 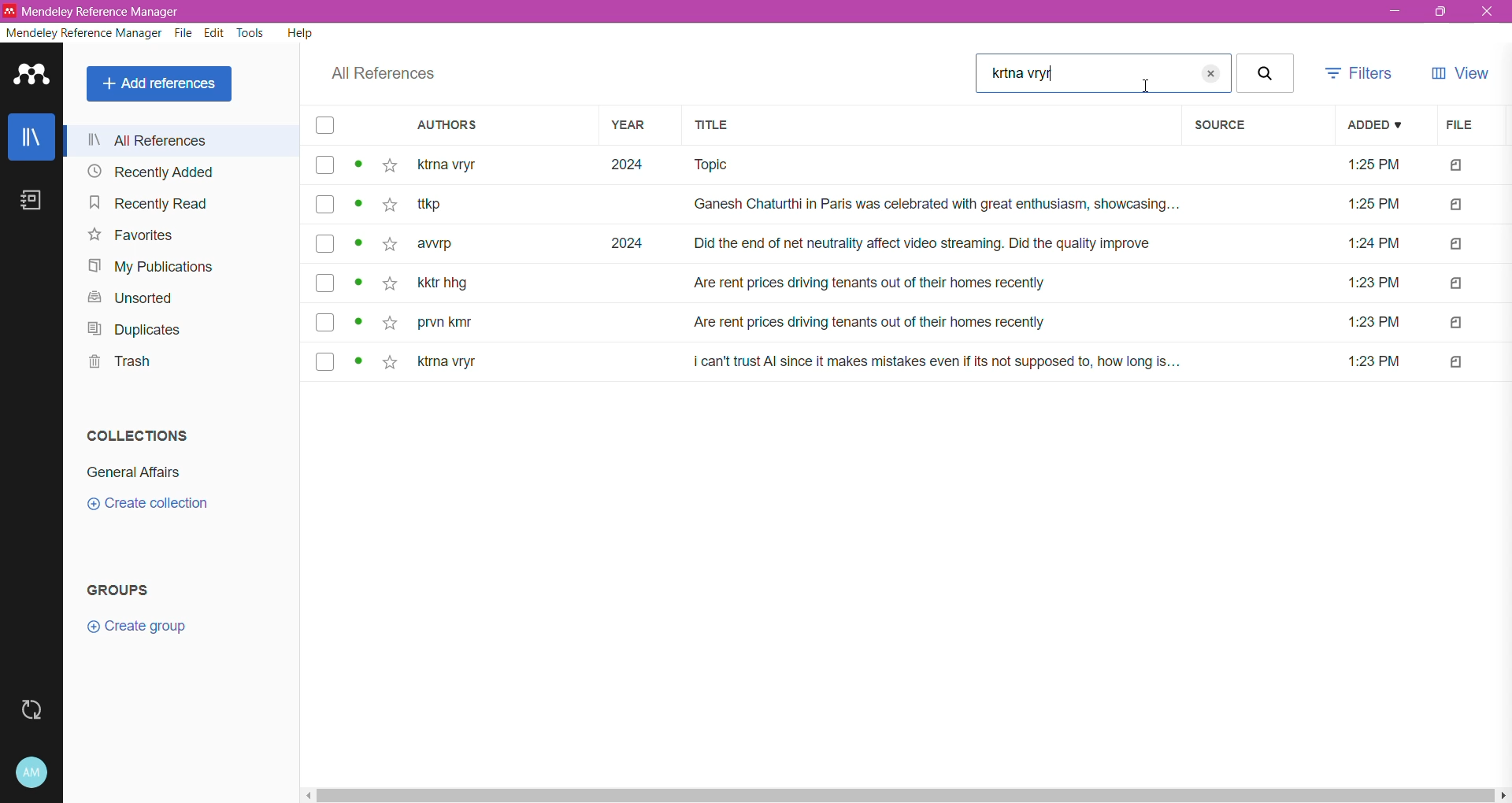 What do you see at coordinates (1084, 73) in the screenshot?
I see `searched for "krtna veye"` at bounding box center [1084, 73].